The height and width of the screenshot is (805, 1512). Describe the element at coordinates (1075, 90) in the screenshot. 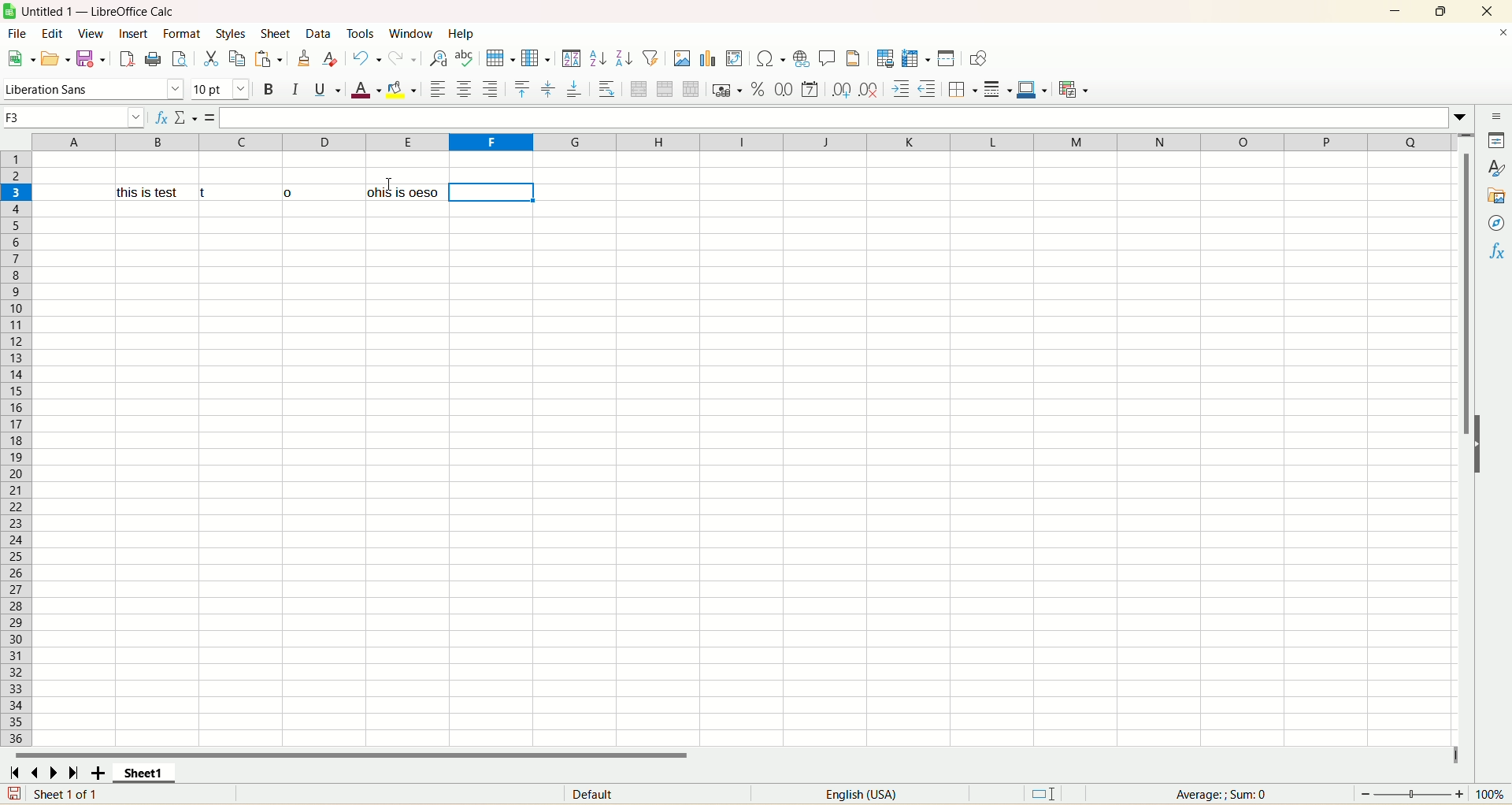

I see `conditional` at that location.